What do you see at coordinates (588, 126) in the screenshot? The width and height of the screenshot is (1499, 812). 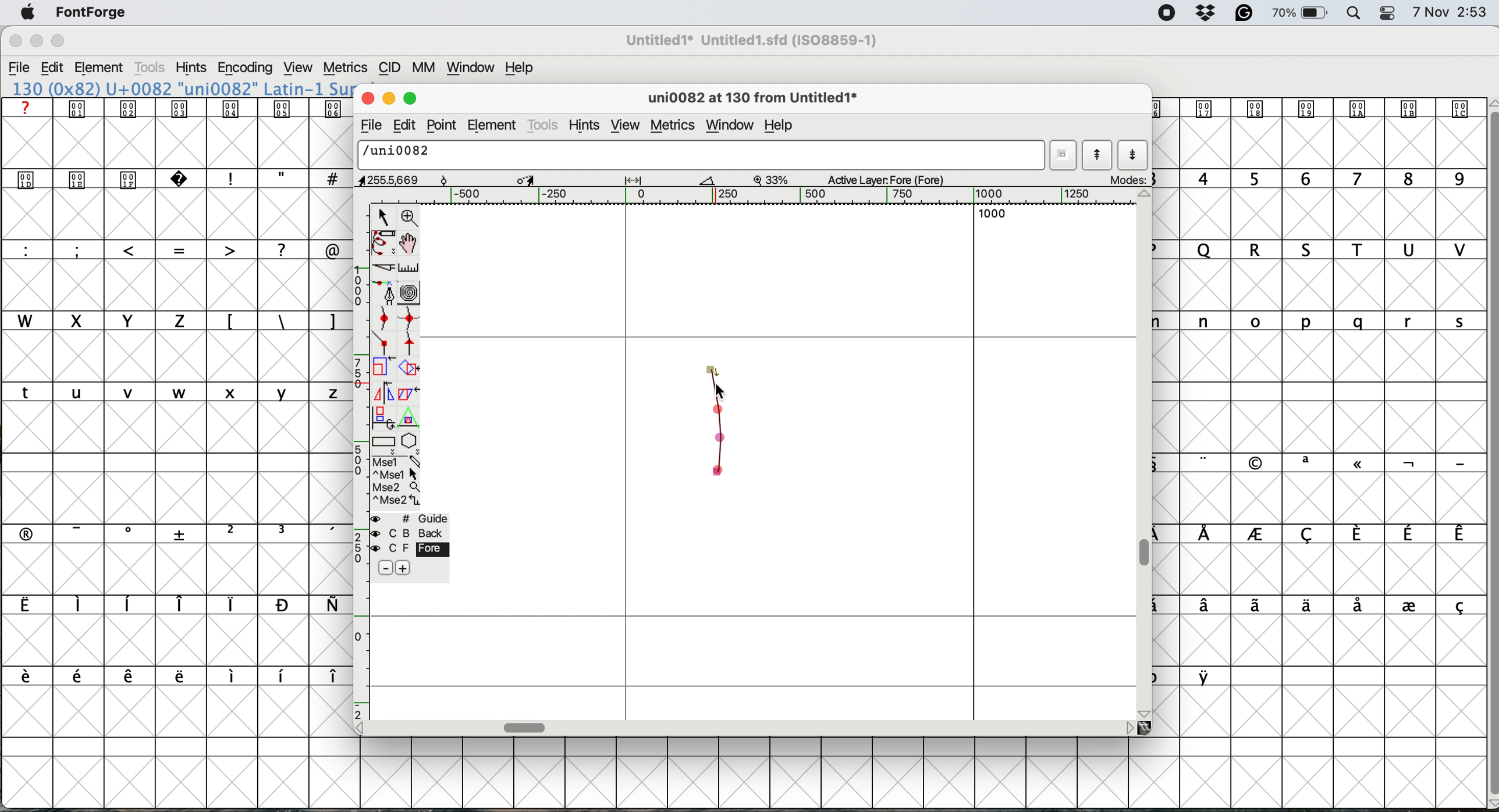 I see `hints` at bounding box center [588, 126].